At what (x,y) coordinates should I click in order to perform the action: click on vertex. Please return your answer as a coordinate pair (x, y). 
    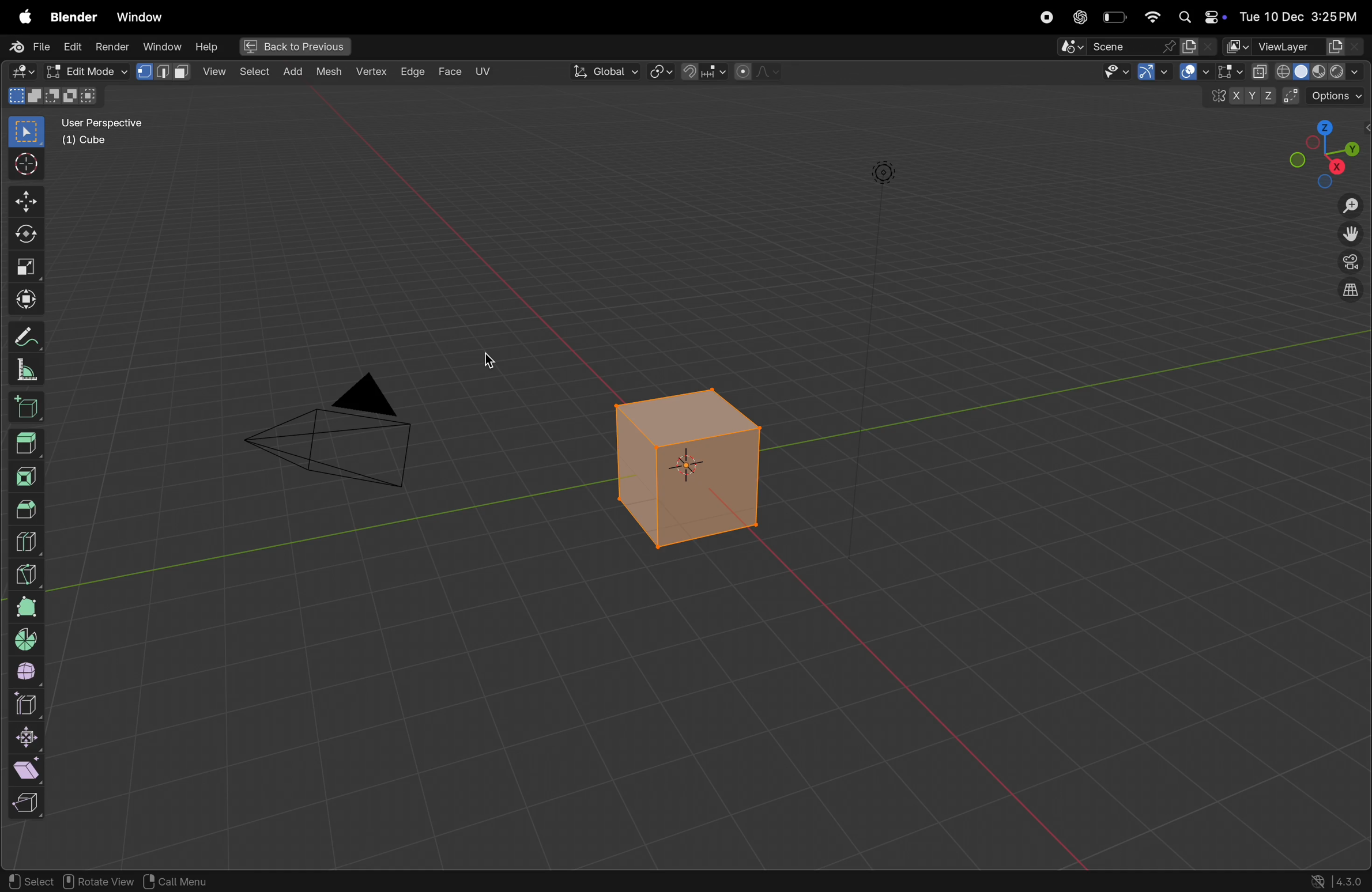
    Looking at the image, I should click on (372, 73).